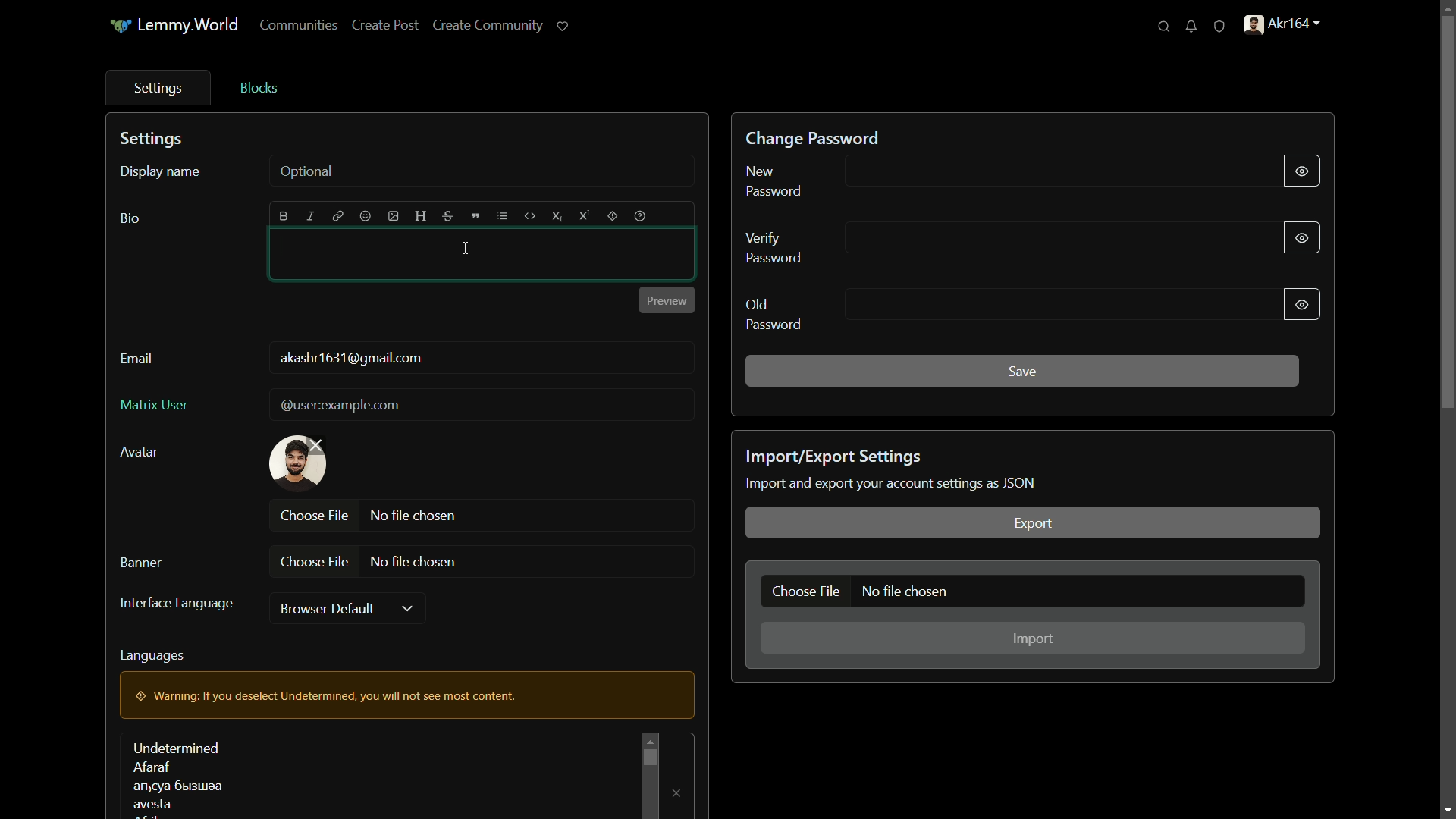  Describe the element at coordinates (1447, 211) in the screenshot. I see `scroll bar` at that location.